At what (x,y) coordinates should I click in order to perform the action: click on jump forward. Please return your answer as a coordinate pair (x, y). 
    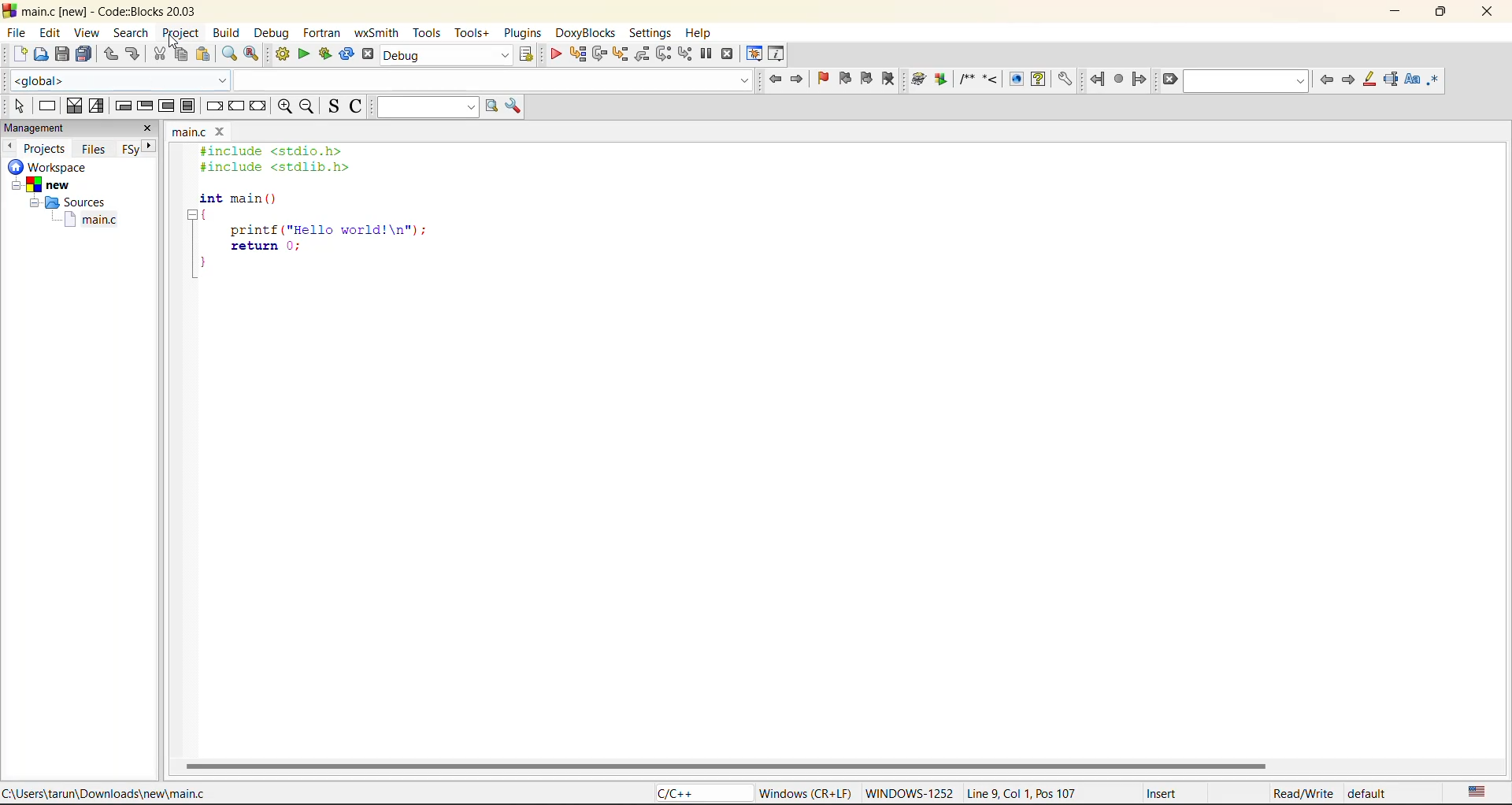
    Looking at the image, I should click on (799, 81).